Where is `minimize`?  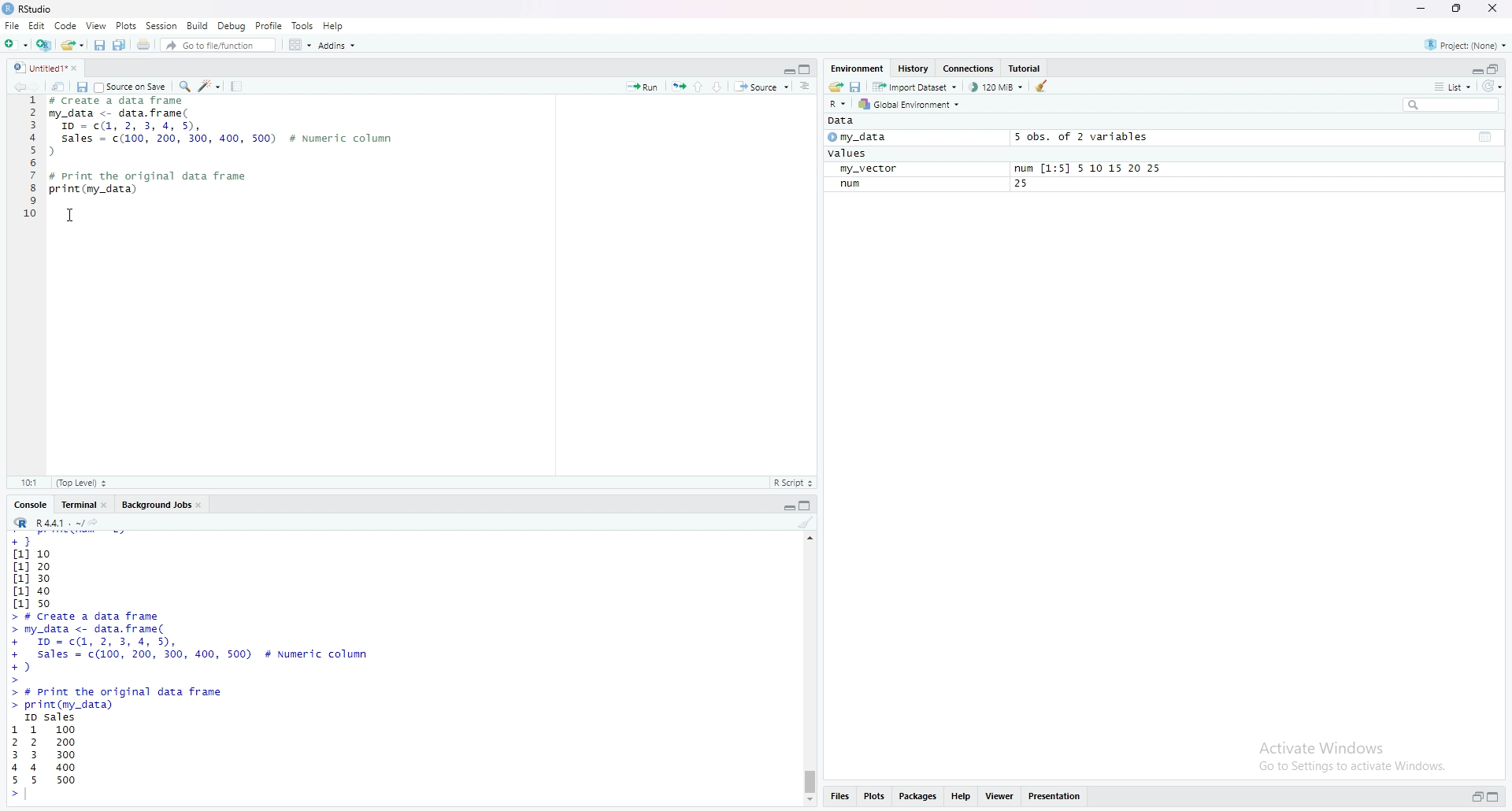 minimize is located at coordinates (1473, 796).